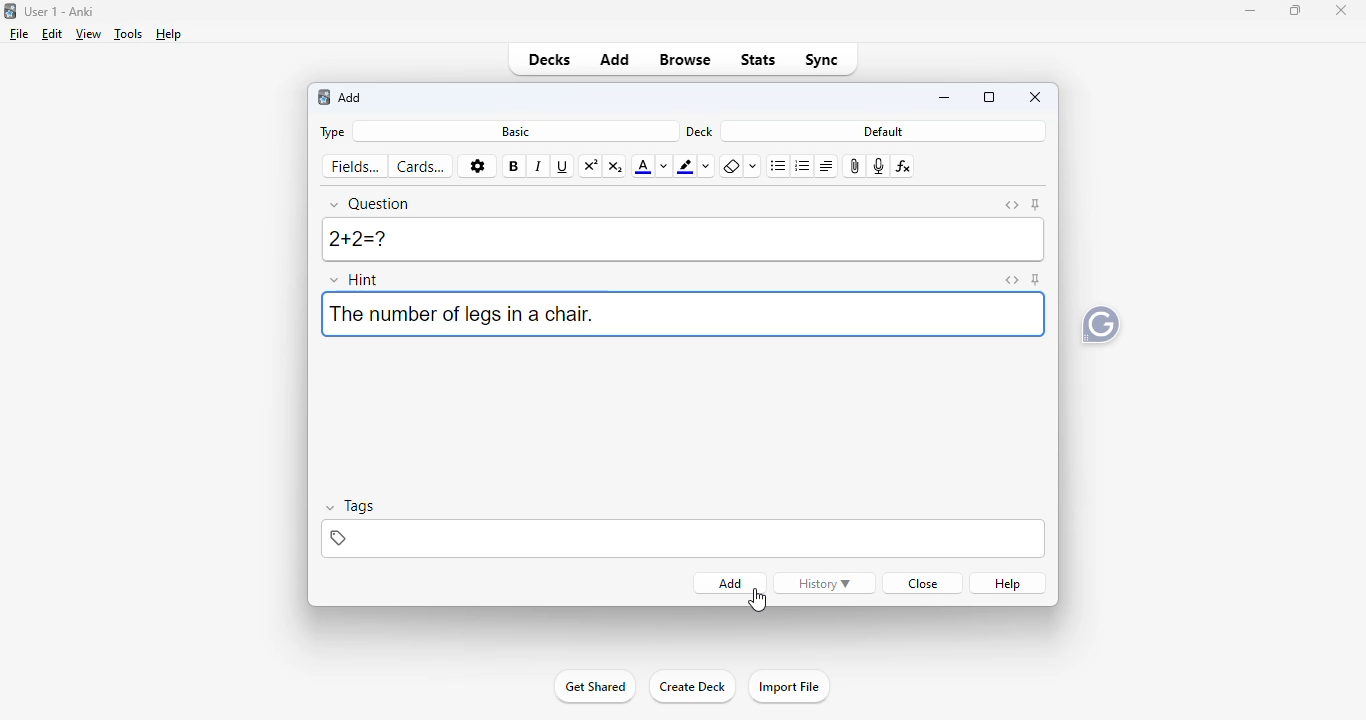  I want to click on help, so click(170, 34).